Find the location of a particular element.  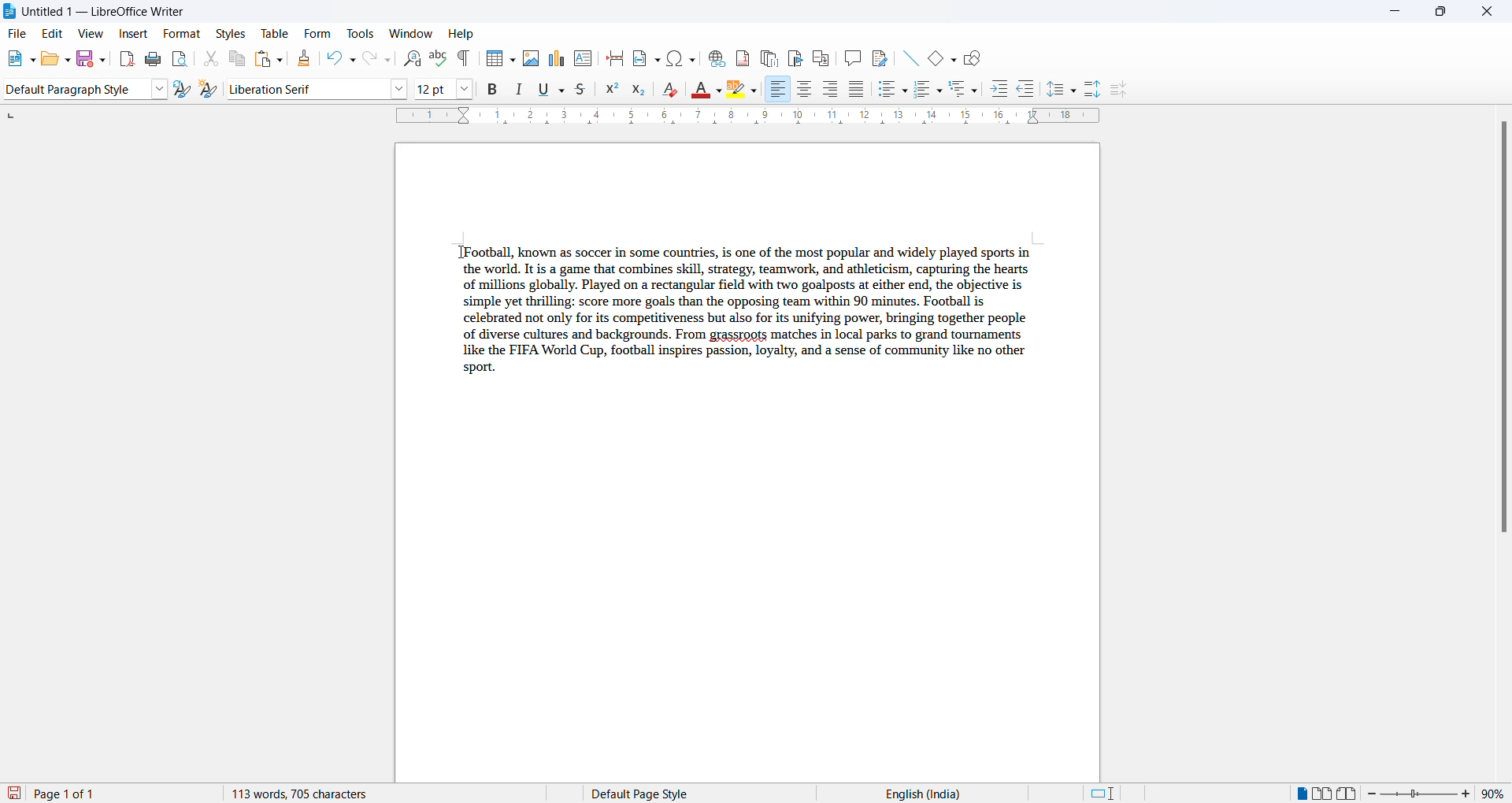

export as pdf is located at coordinates (124, 59).